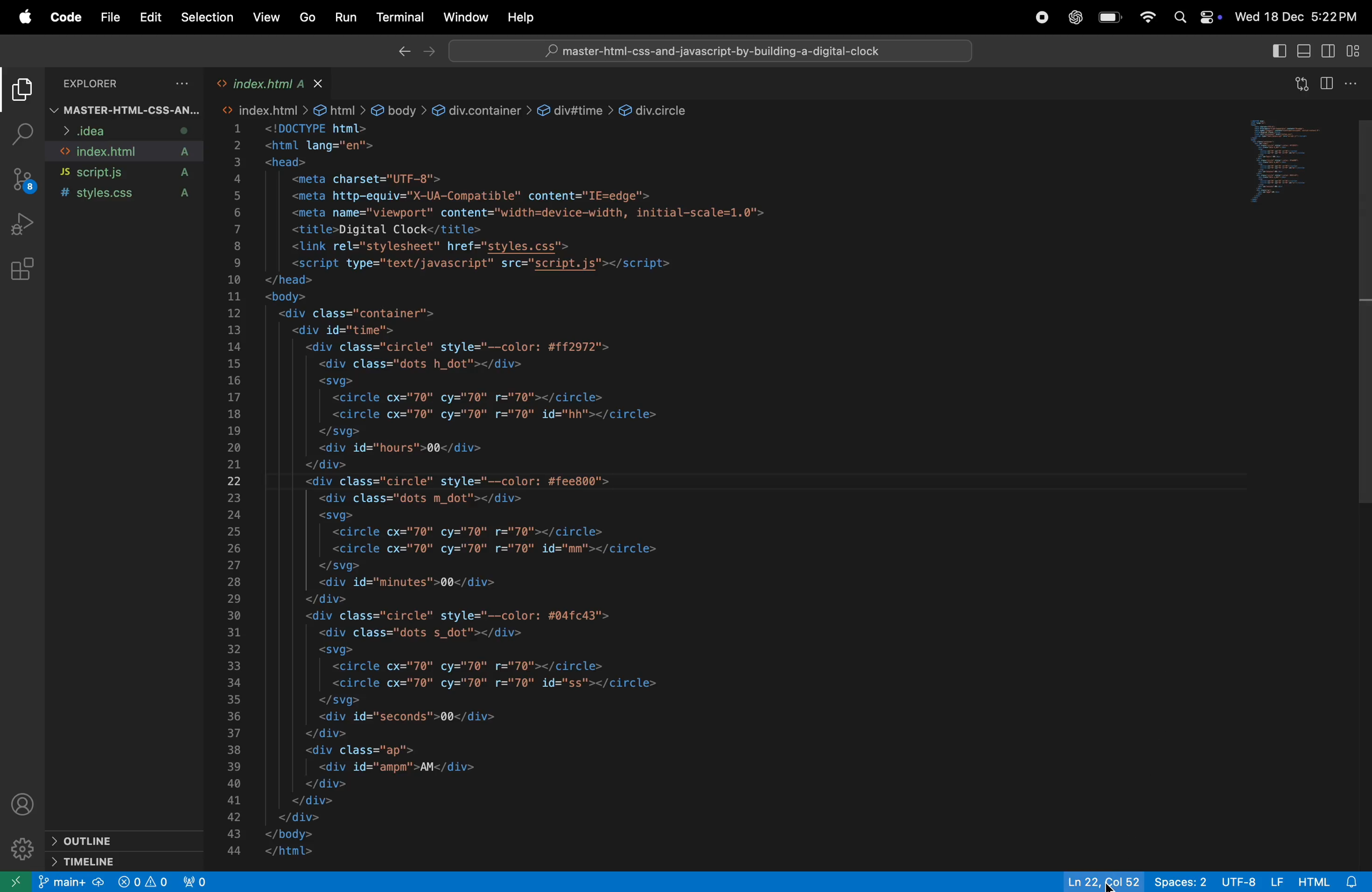  I want to click on link, so click(402, 107).